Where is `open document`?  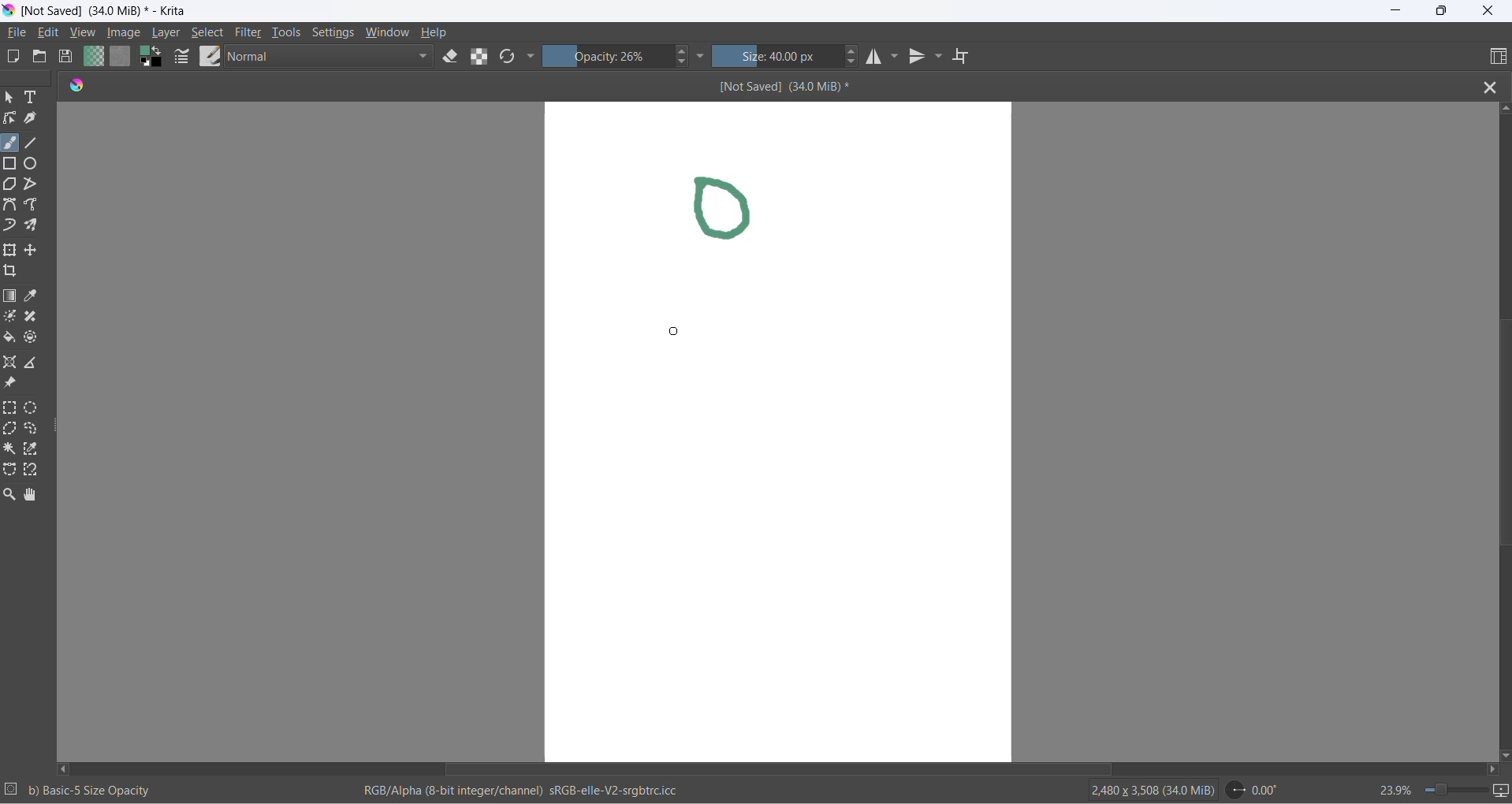
open document is located at coordinates (45, 58).